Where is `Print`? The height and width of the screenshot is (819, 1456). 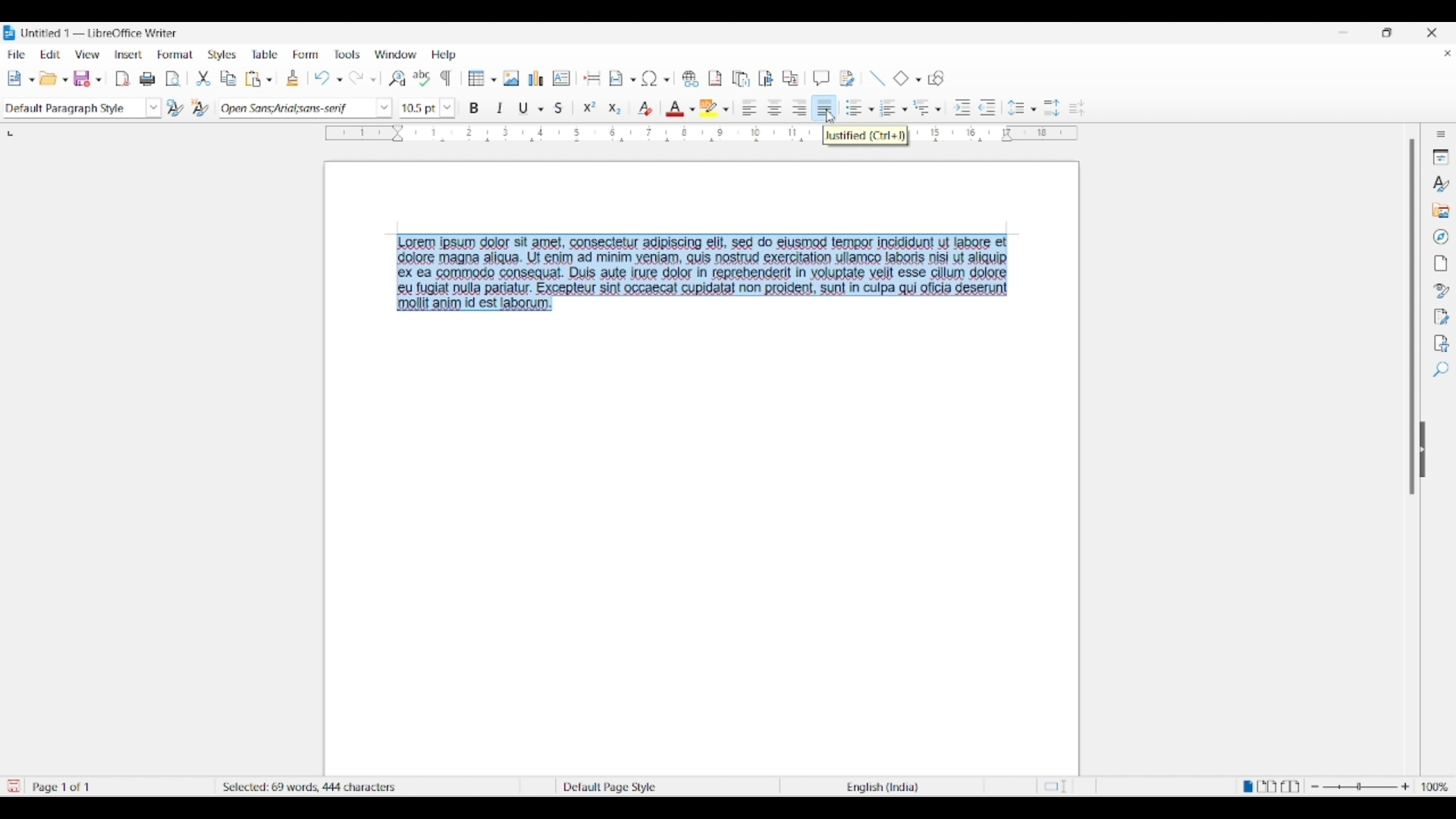
Print is located at coordinates (148, 79).